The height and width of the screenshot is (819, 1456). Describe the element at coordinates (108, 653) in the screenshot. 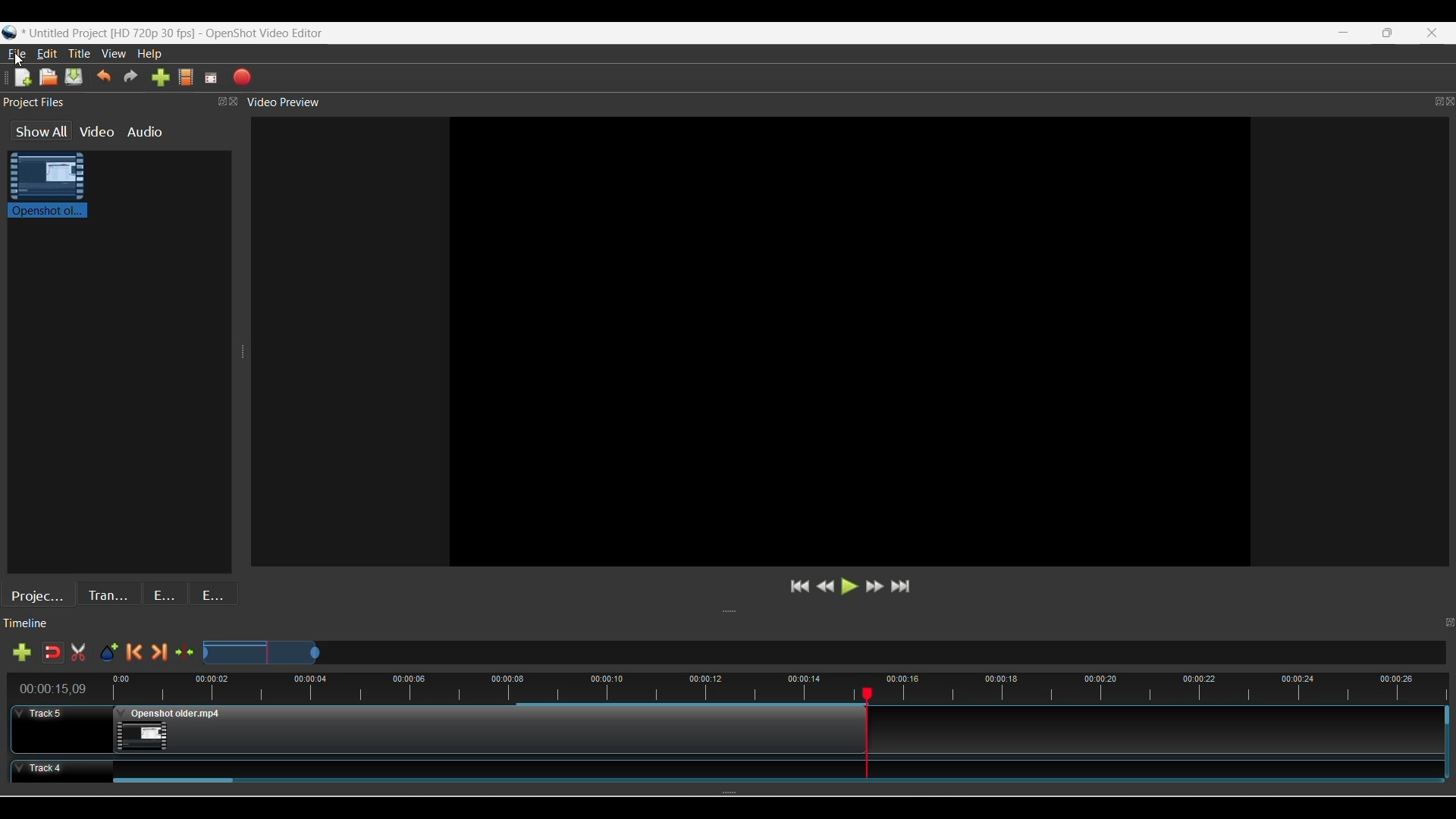

I see `Add marker` at that location.